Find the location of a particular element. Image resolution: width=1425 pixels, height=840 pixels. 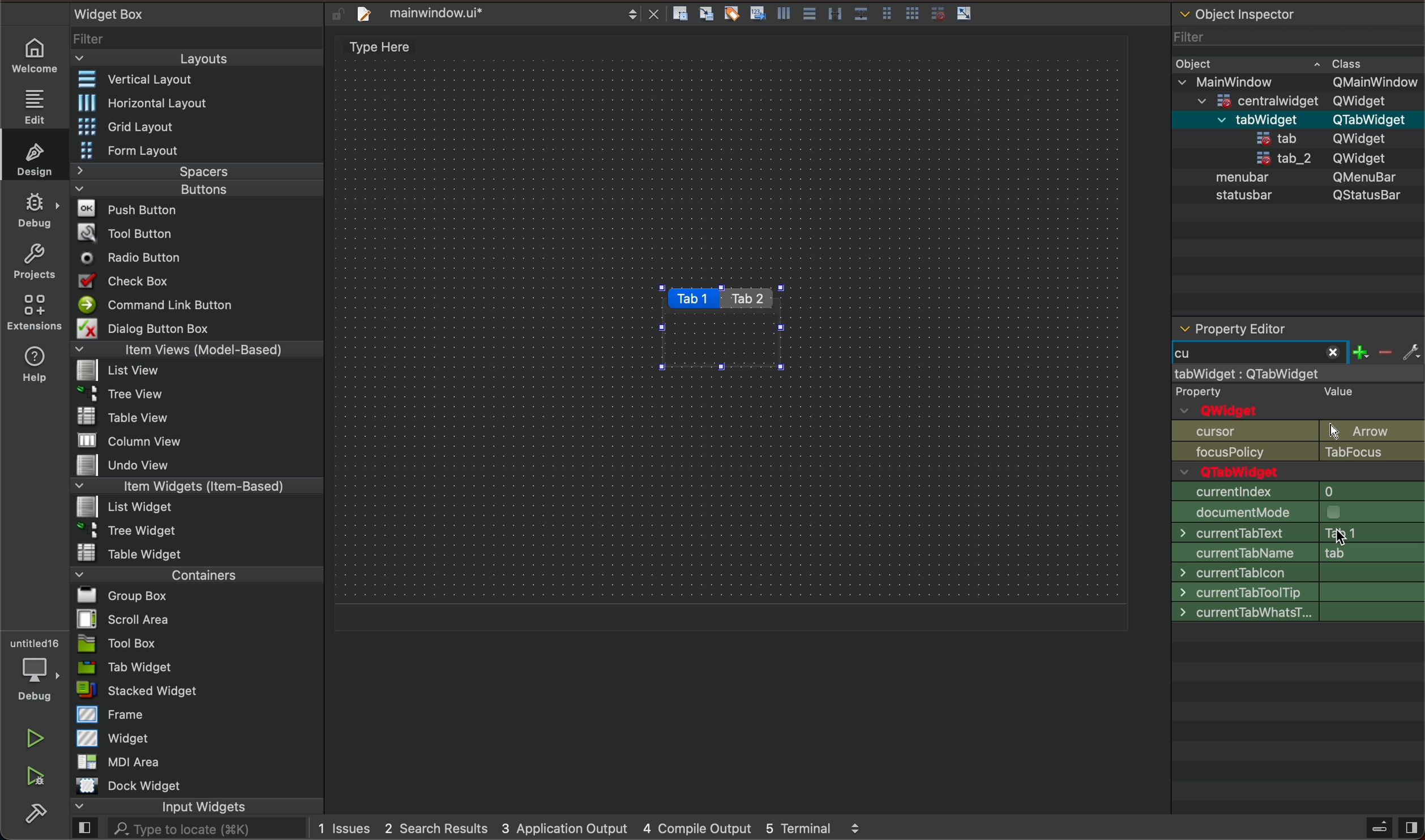

object inspector is located at coordinates (1298, 16).